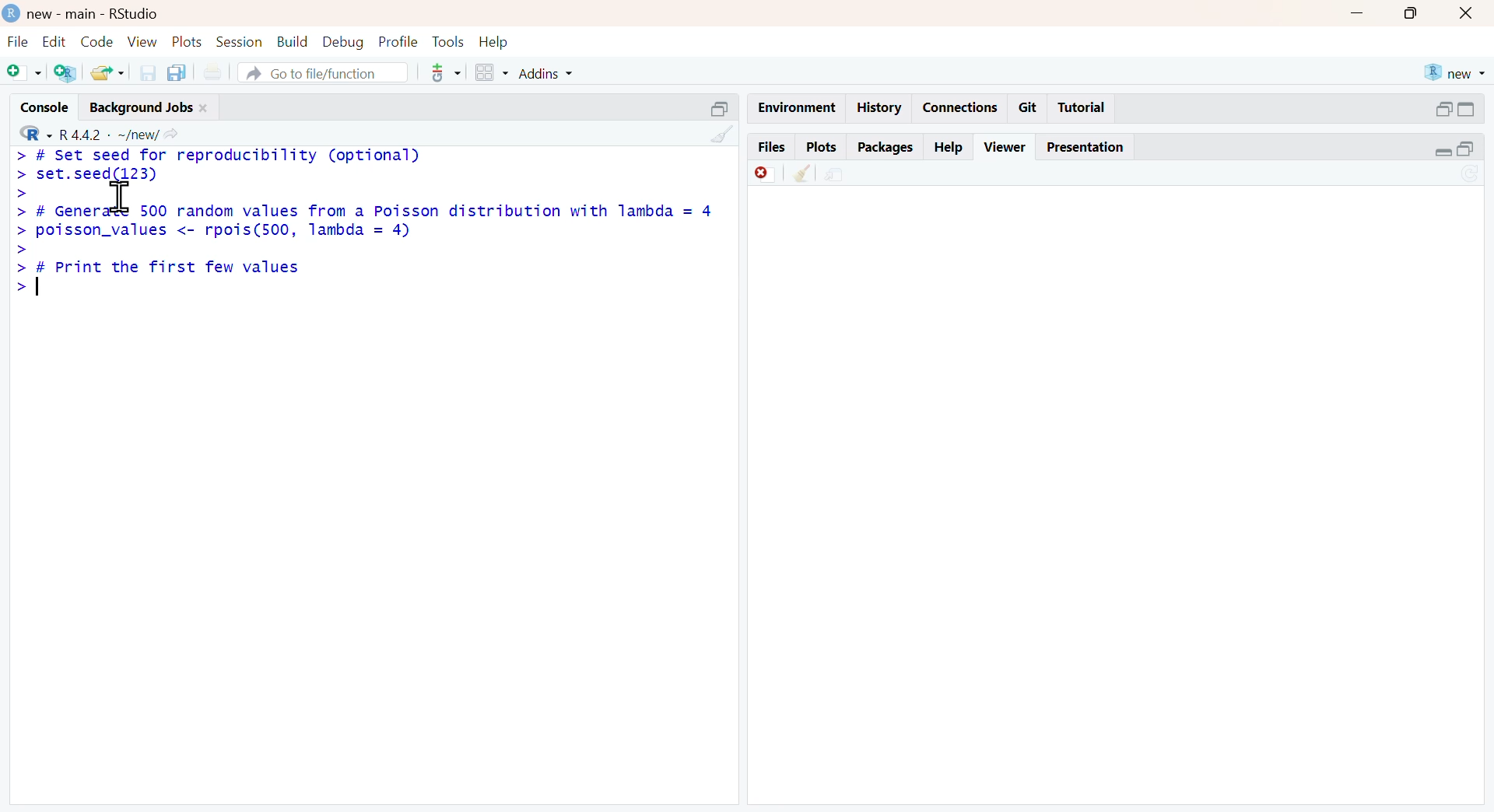 The image size is (1494, 812). Describe the element at coordinates (324, 72) in the screenshot. I see `go to file/function` at that location.